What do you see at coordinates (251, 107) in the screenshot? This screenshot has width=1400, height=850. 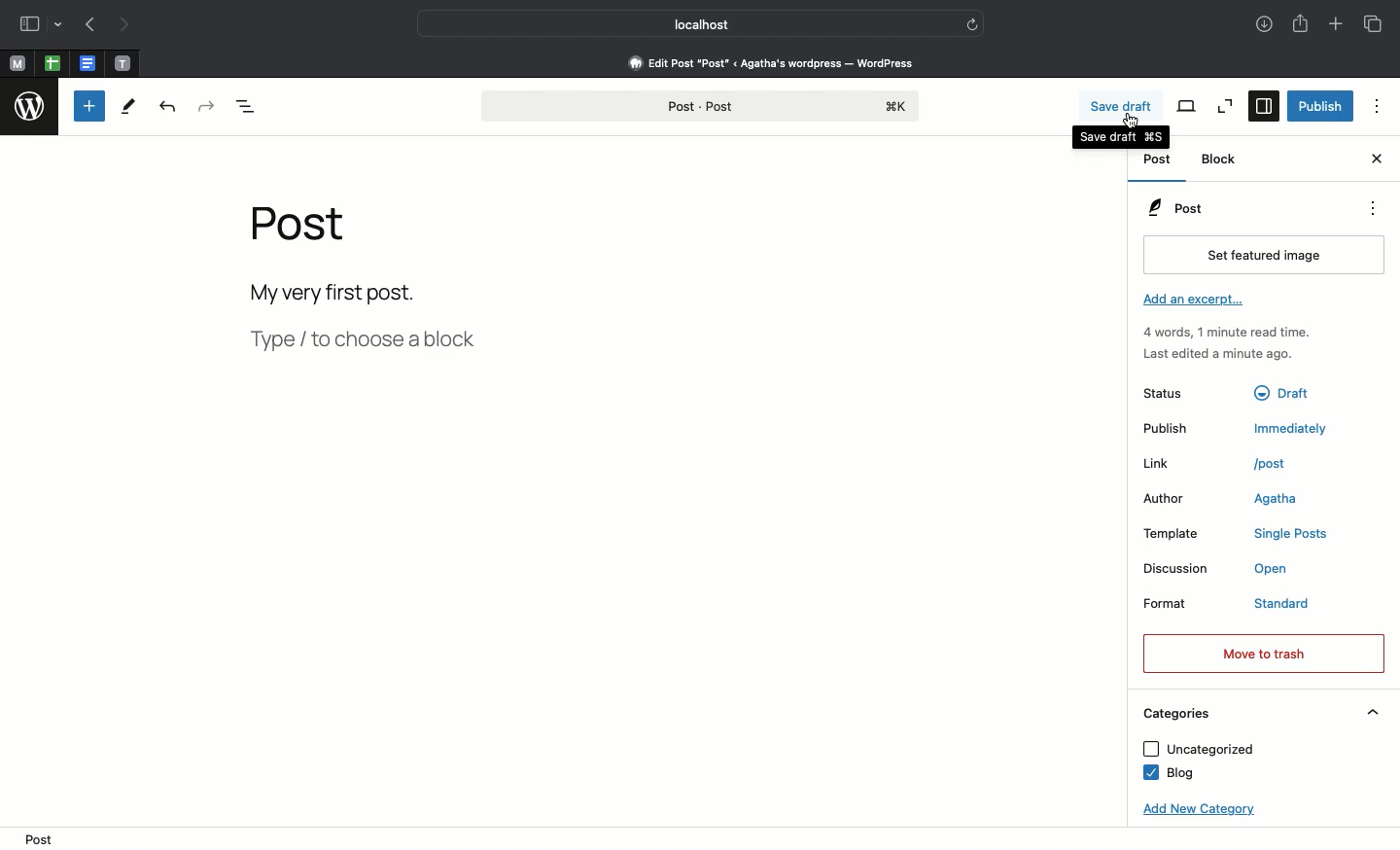 I see `Document overview` at bounding box center [251, 107].